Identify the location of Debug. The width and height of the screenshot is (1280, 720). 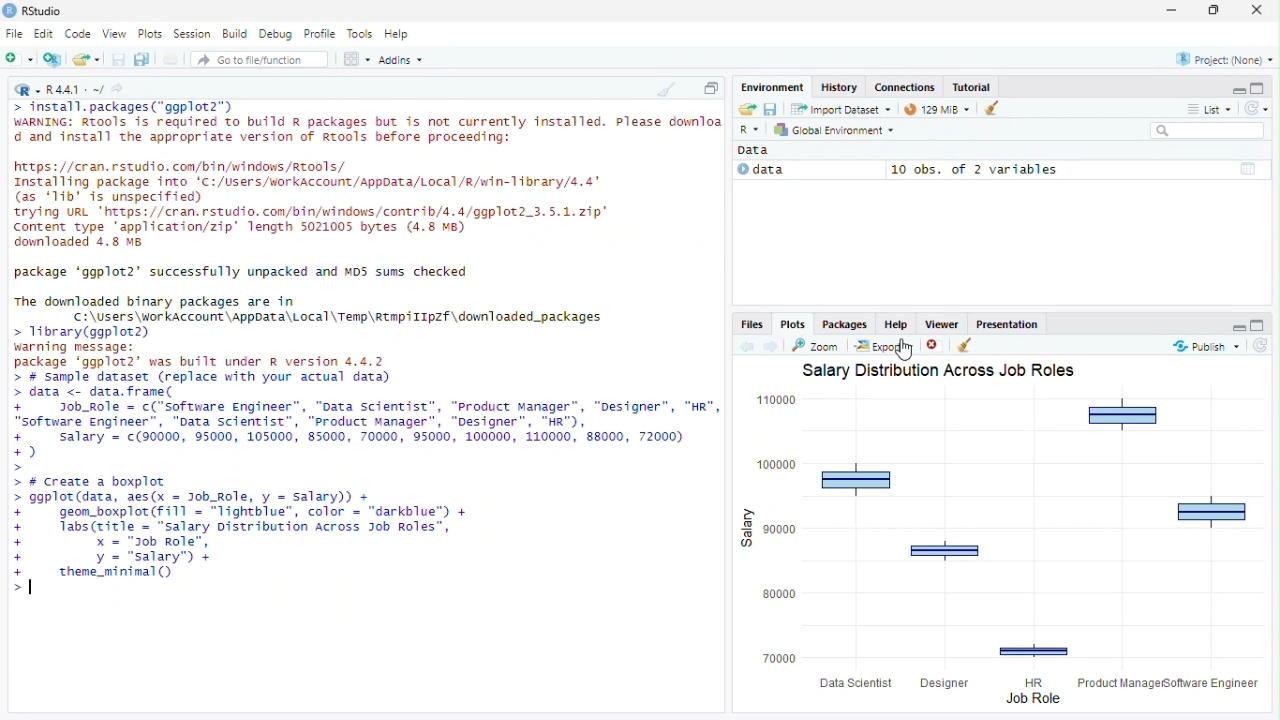
(276, 34).